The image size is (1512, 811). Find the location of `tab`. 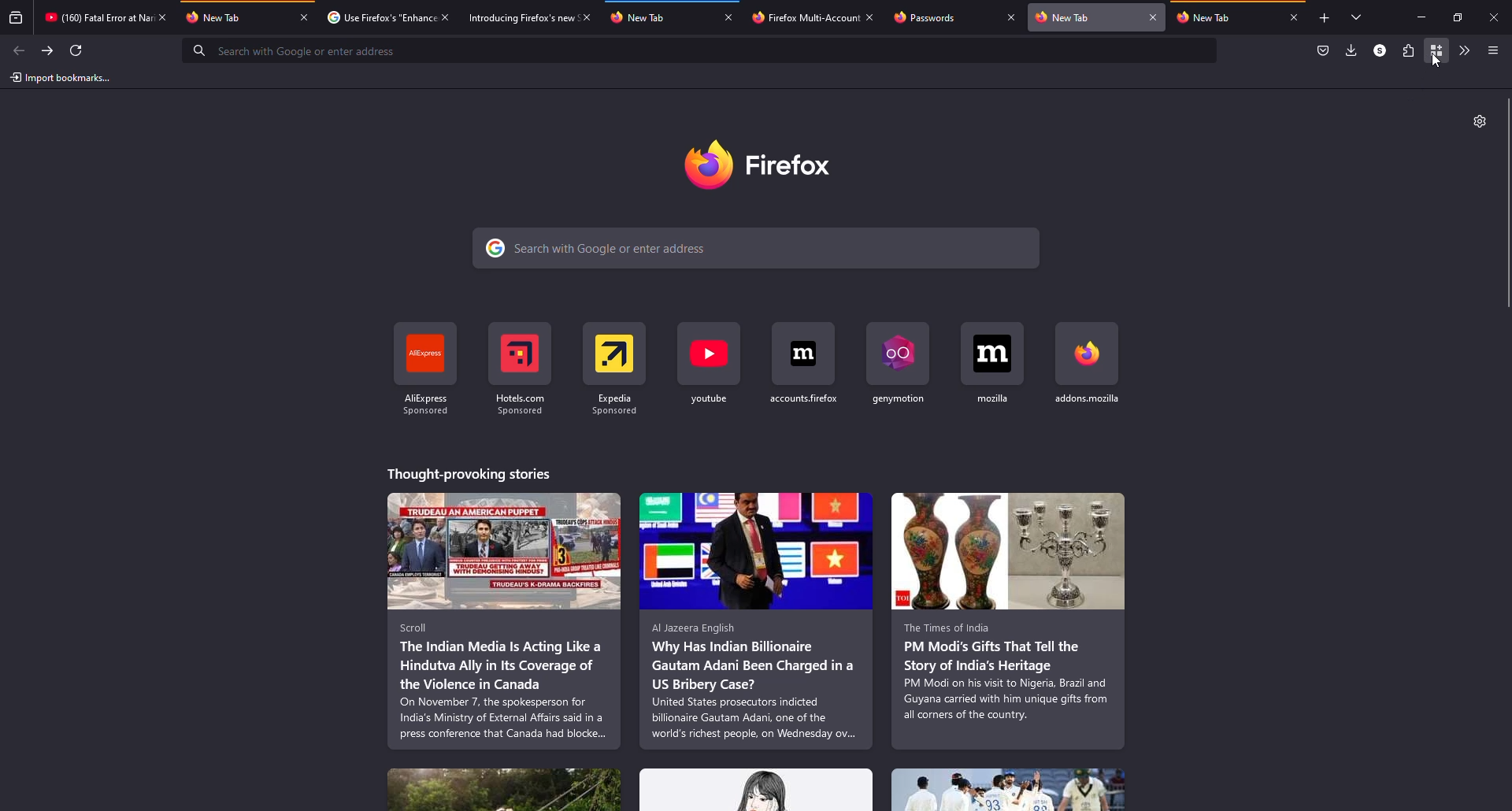

tab is located at coordinates (93, 17).